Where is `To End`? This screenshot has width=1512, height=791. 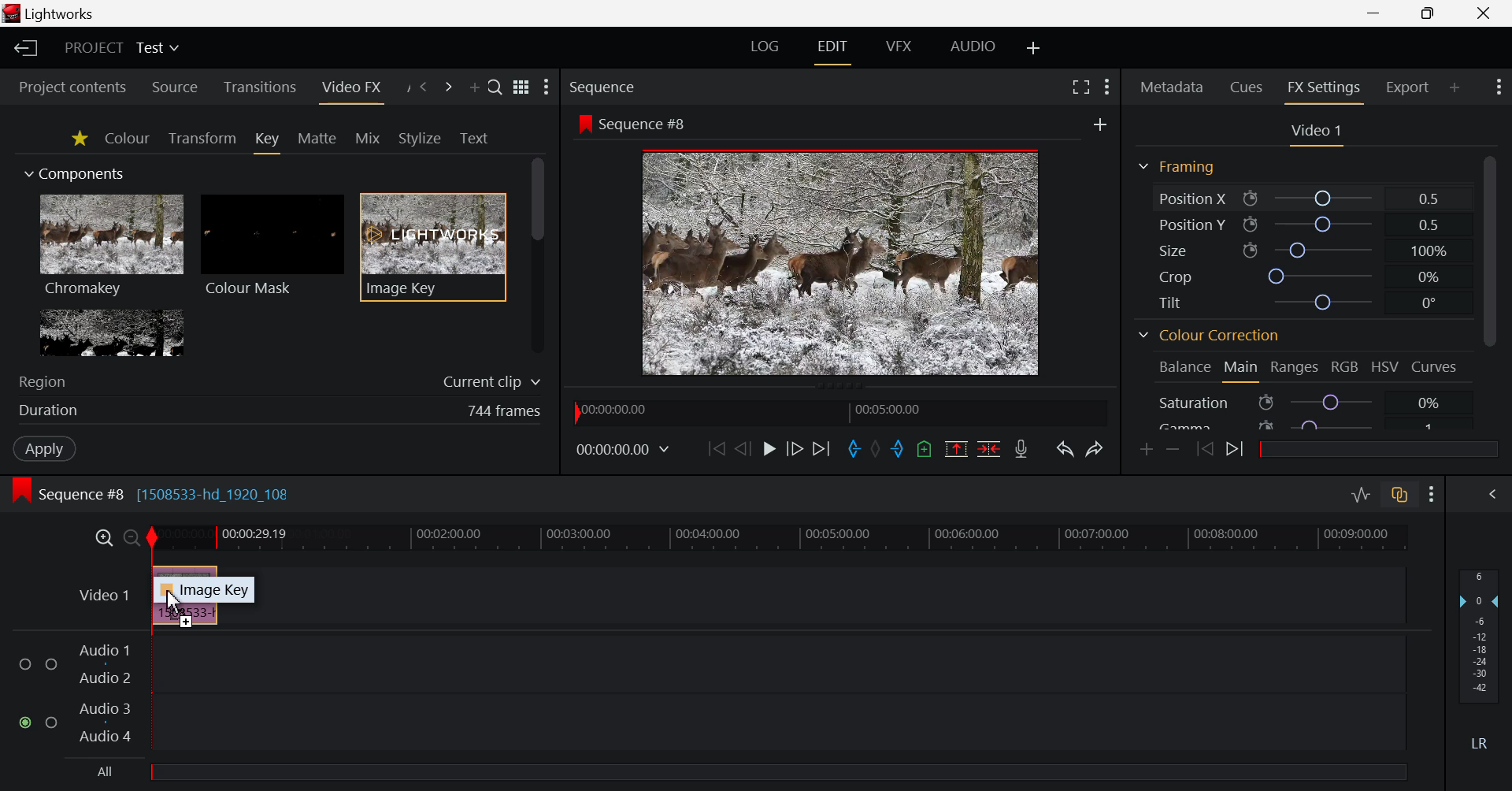
To End is located at coordinates (824, 448).